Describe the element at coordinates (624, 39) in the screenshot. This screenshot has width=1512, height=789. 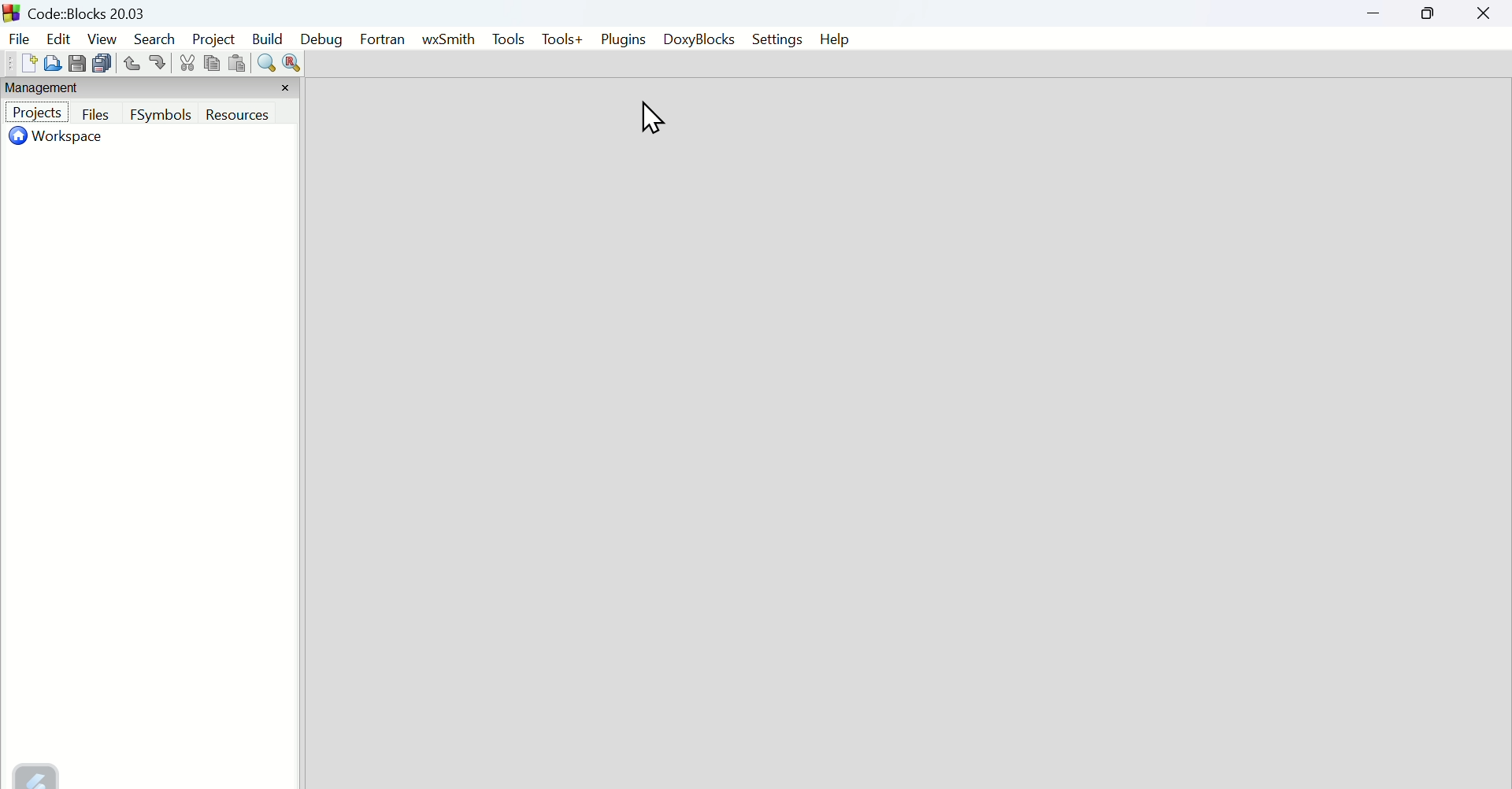
I see `Plugins` at that location.